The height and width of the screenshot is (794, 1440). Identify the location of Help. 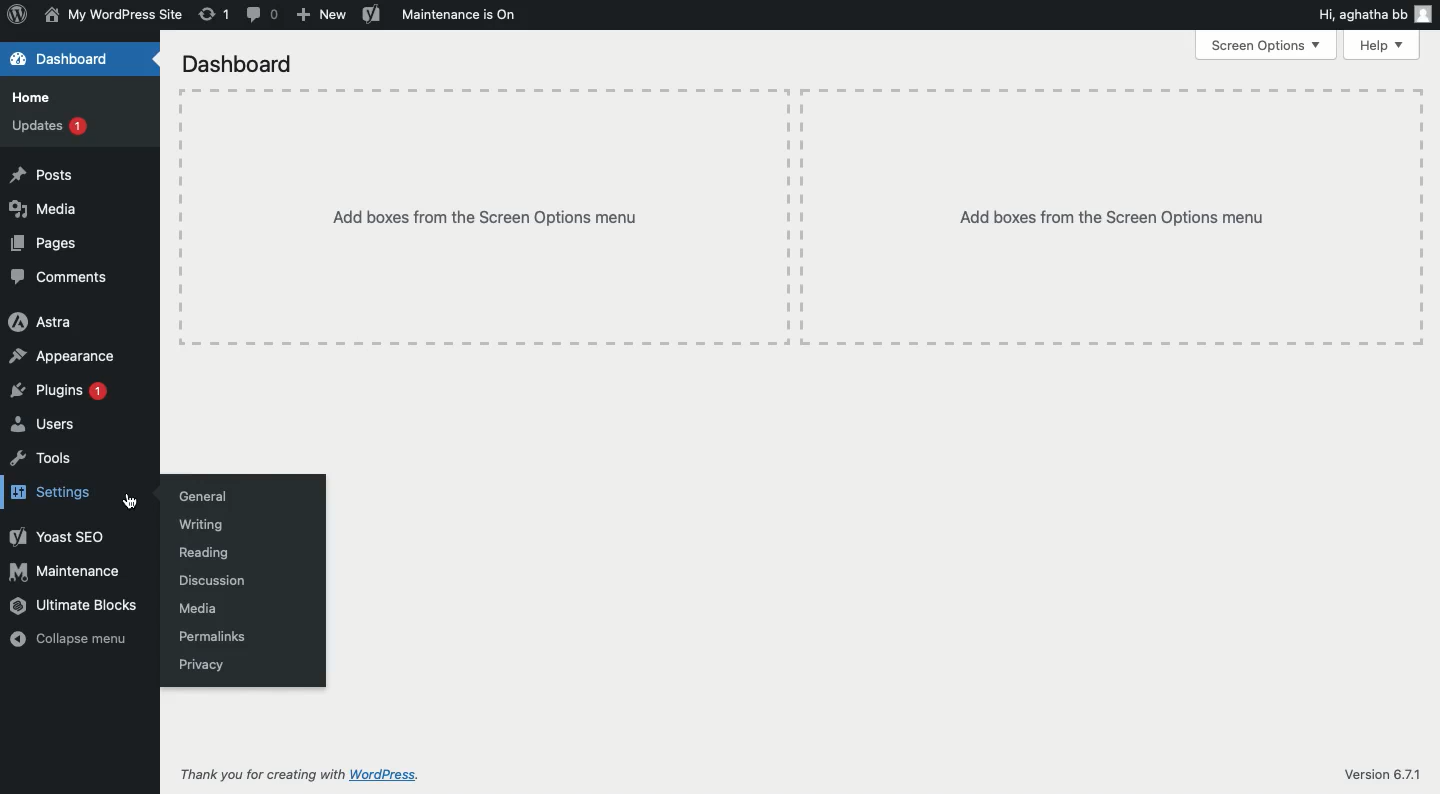
(1381, 44).